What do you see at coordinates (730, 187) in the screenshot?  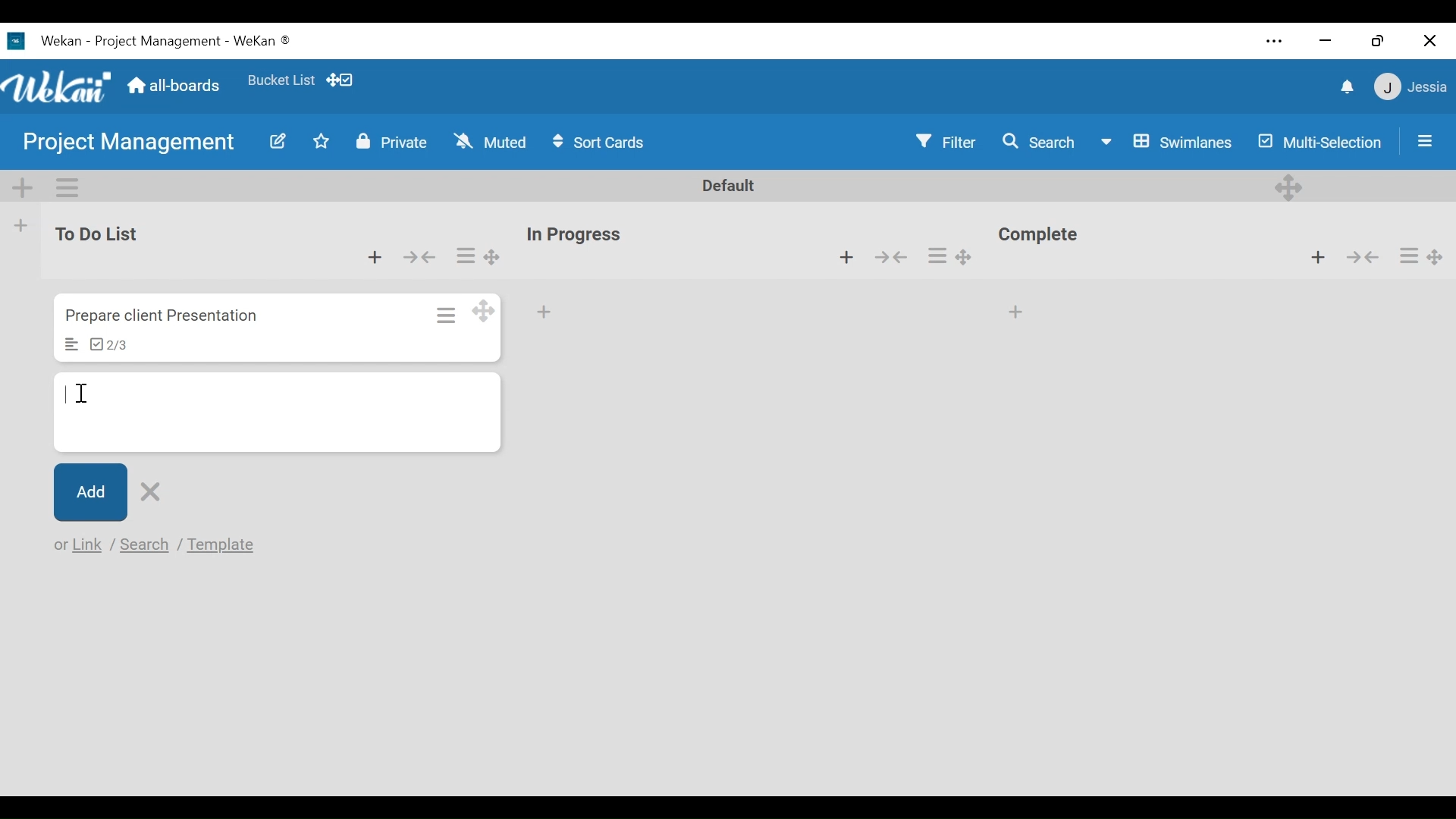 I see `Default` at bounding box center [730, 187].